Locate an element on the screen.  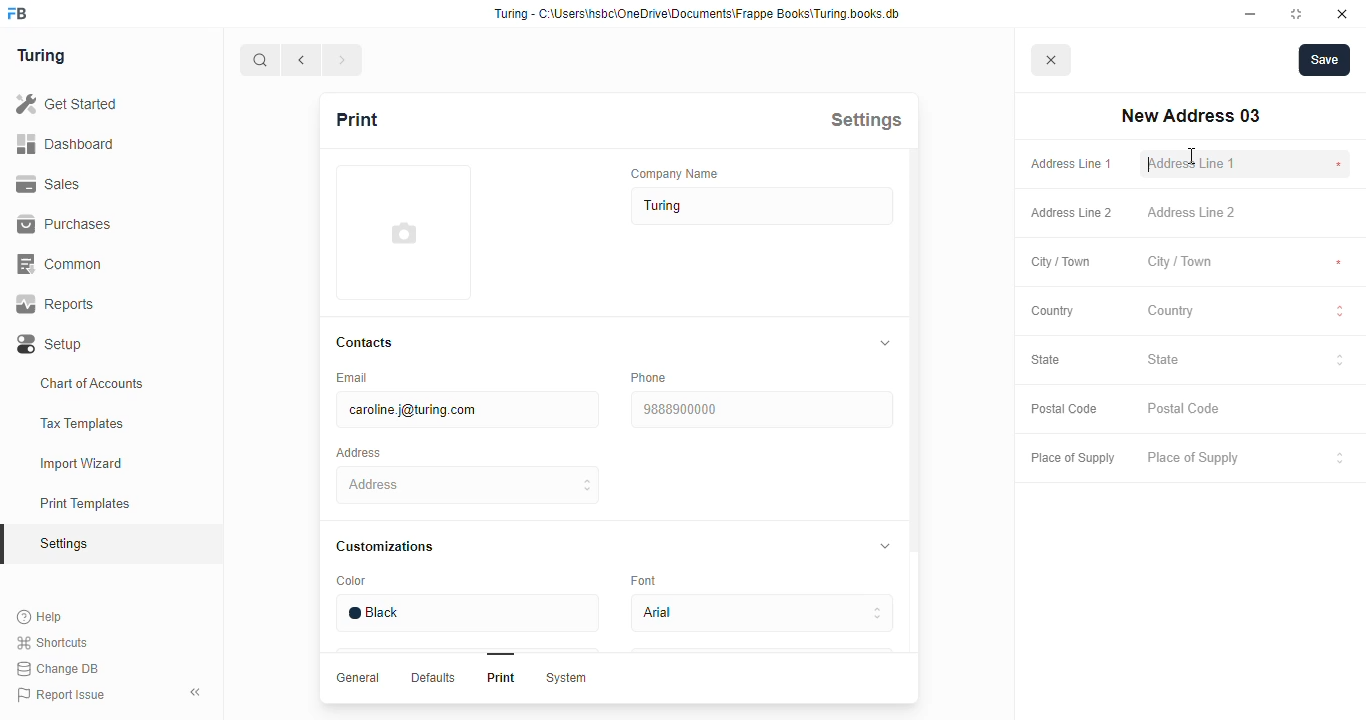
font is located at coordinates (647, 579).